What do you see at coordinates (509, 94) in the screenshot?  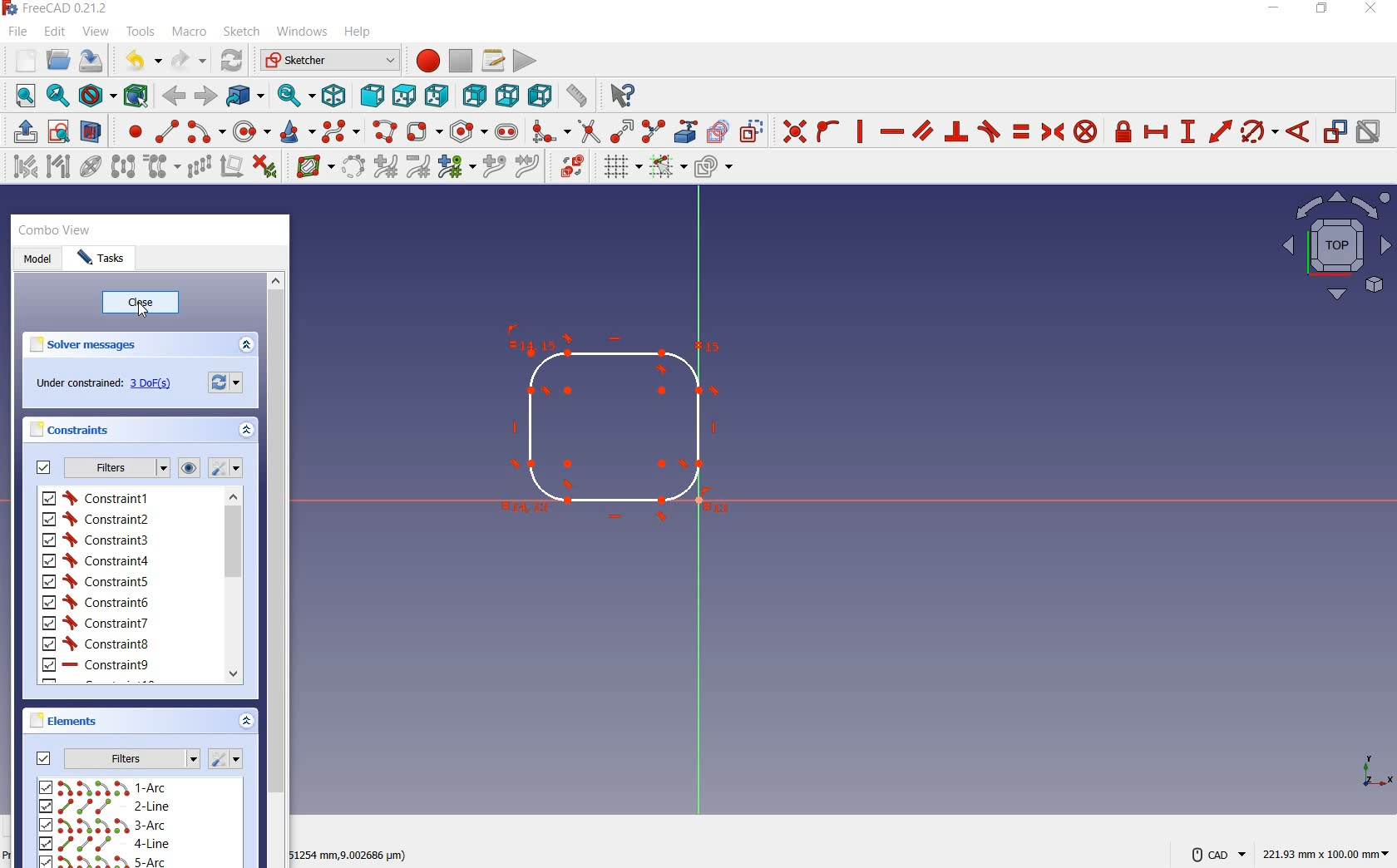 I see `bottom` at bounding box center [509, 94].